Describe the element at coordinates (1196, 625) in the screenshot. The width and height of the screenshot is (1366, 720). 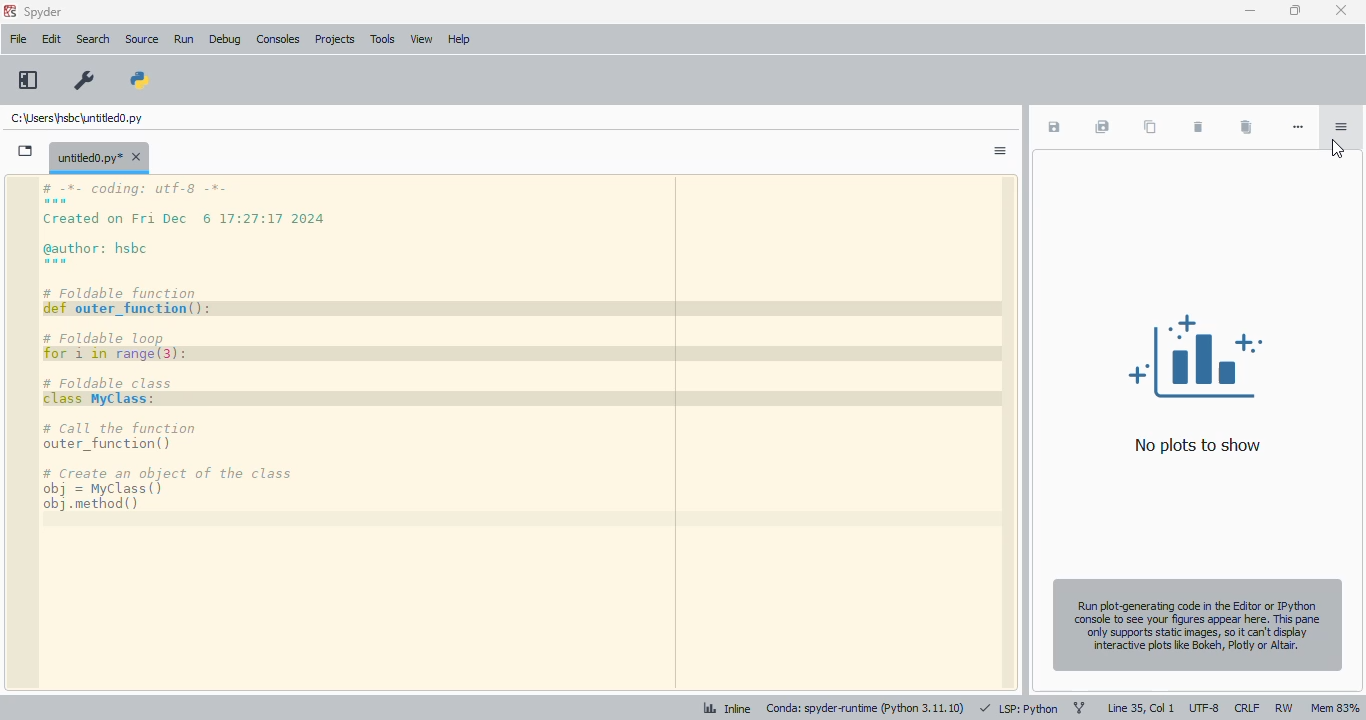
I see `plots panel info` at that location.